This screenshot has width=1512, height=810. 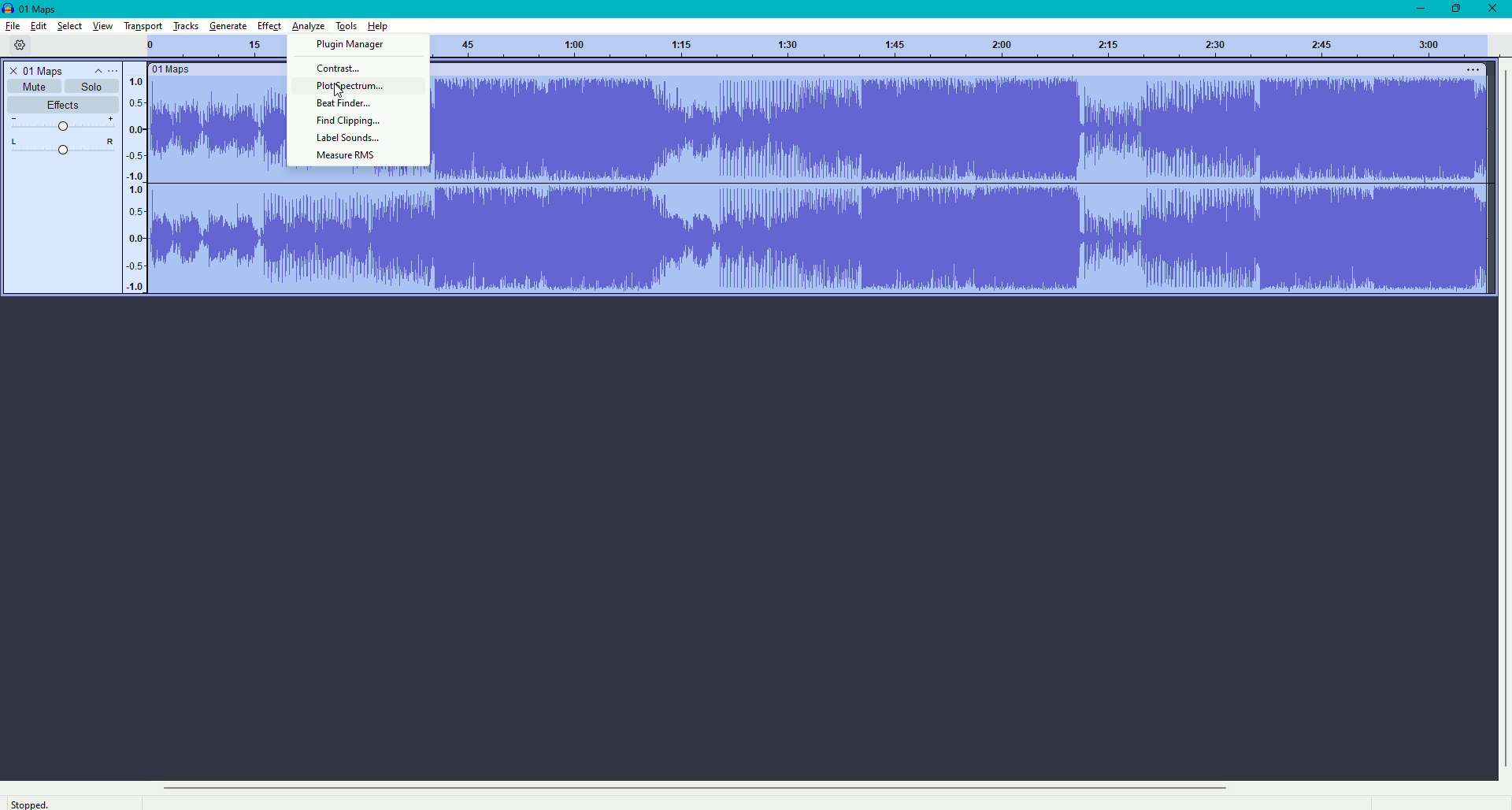 I want to click on track numbers, so click(x=962, y=44).